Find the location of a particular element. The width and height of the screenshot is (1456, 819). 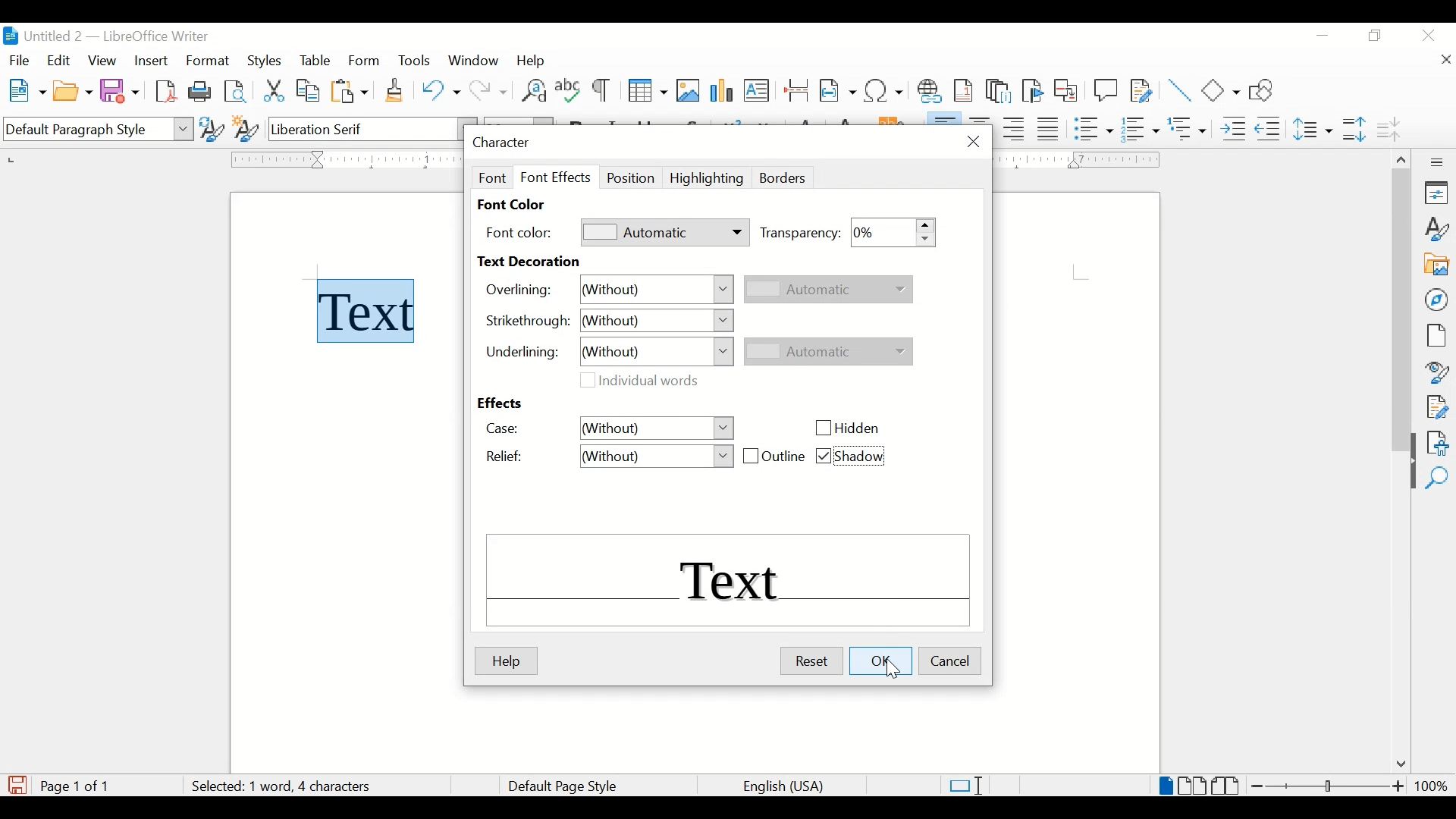

insert hyperlink is located at coordinates (930, 91).